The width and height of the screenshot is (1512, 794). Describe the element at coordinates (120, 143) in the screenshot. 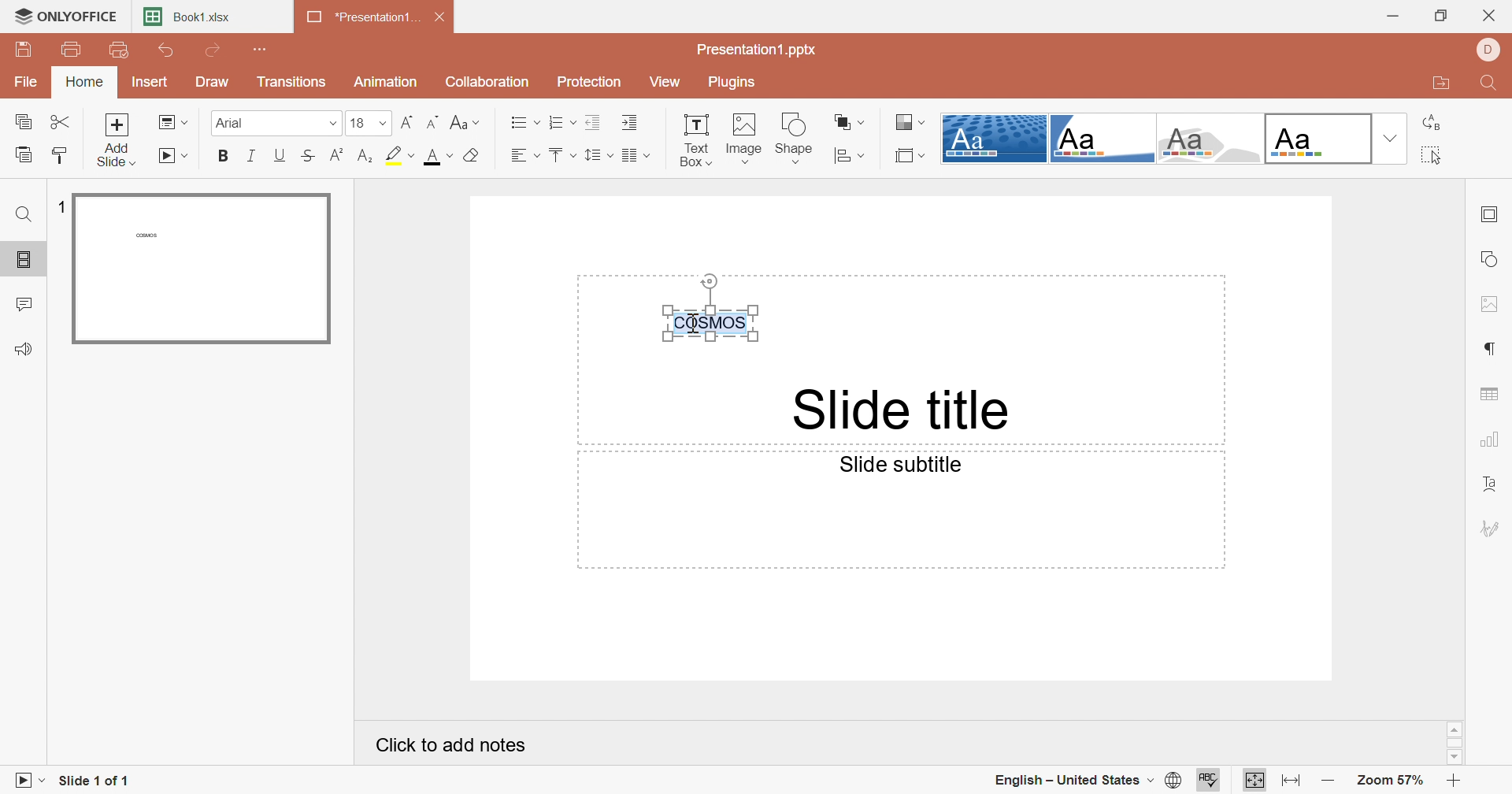

I see `Add side` at that location.